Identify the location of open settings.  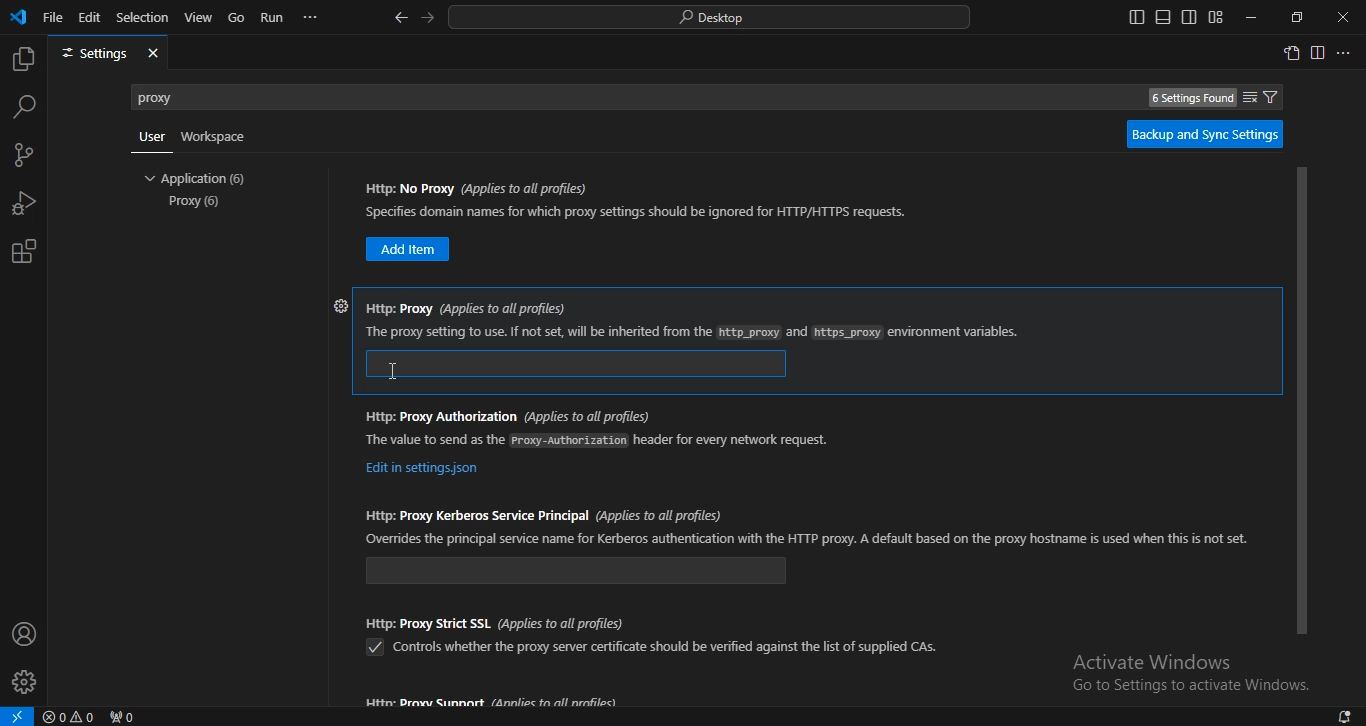
(1293, 55).